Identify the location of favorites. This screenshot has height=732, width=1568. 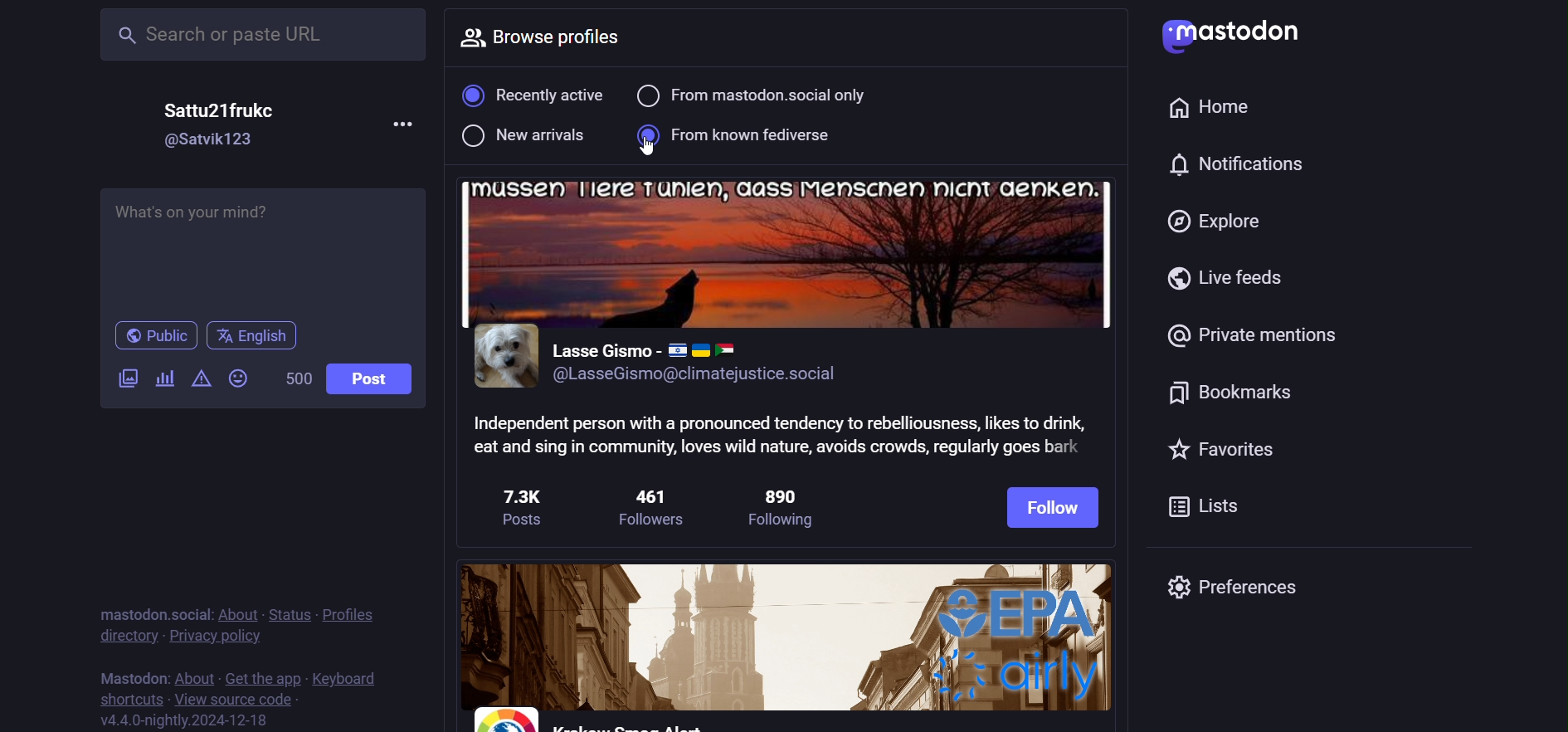
(1237, 448).